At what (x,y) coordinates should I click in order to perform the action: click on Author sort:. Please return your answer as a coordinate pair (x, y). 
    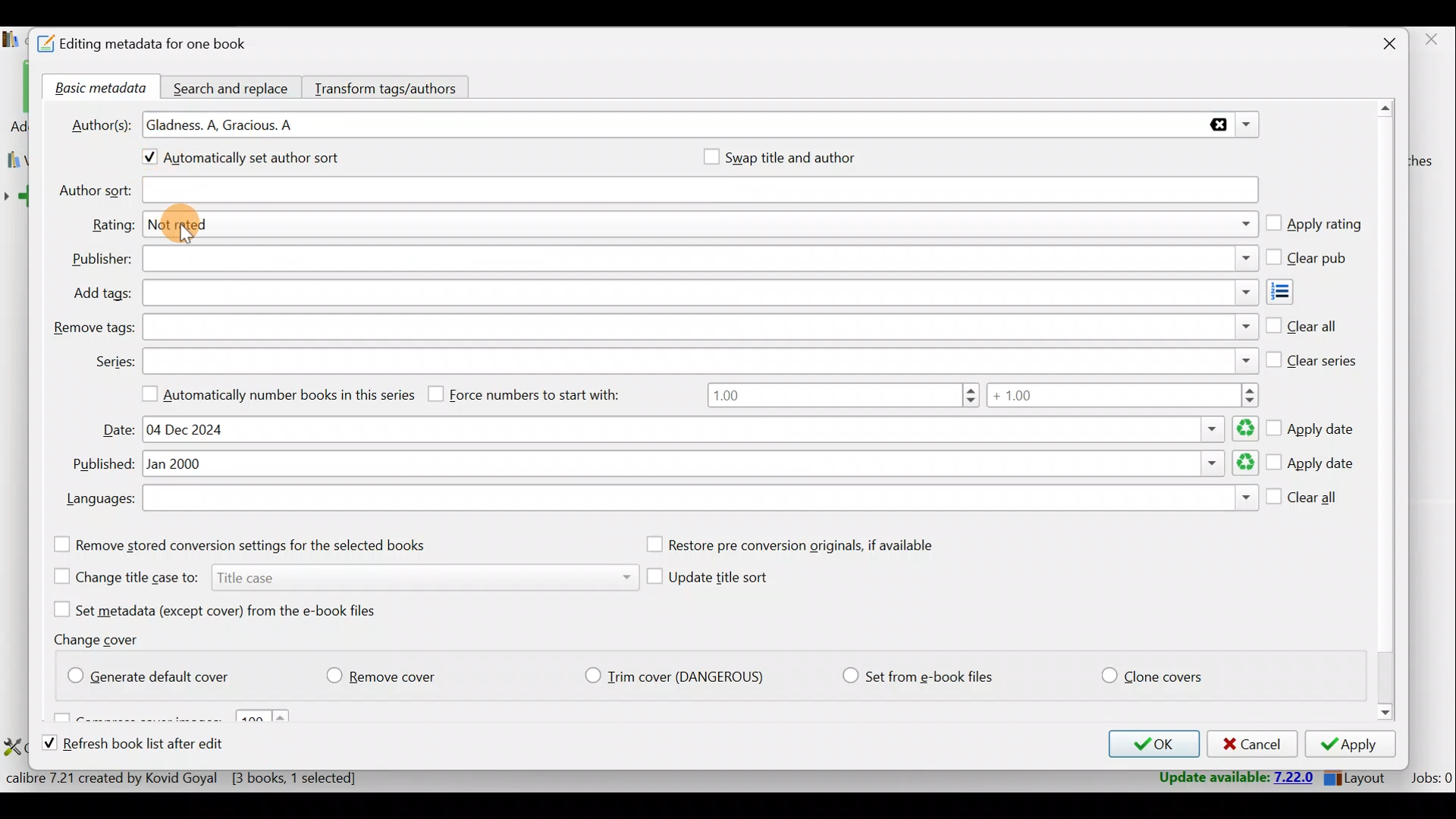
    Looking at the image, I should click on (93, 191).